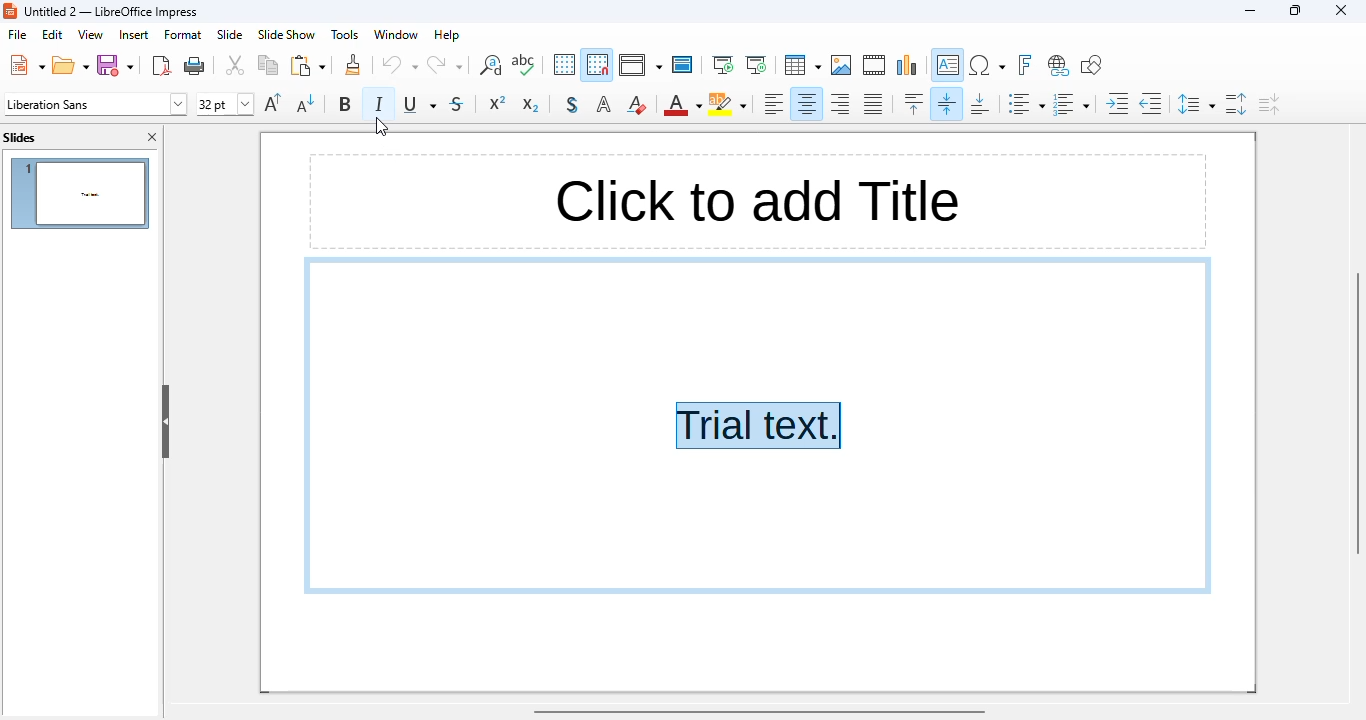 Image resolution: width=1366 pixels, height=720 pixels. I want to click on insert image, so click(842, 65).